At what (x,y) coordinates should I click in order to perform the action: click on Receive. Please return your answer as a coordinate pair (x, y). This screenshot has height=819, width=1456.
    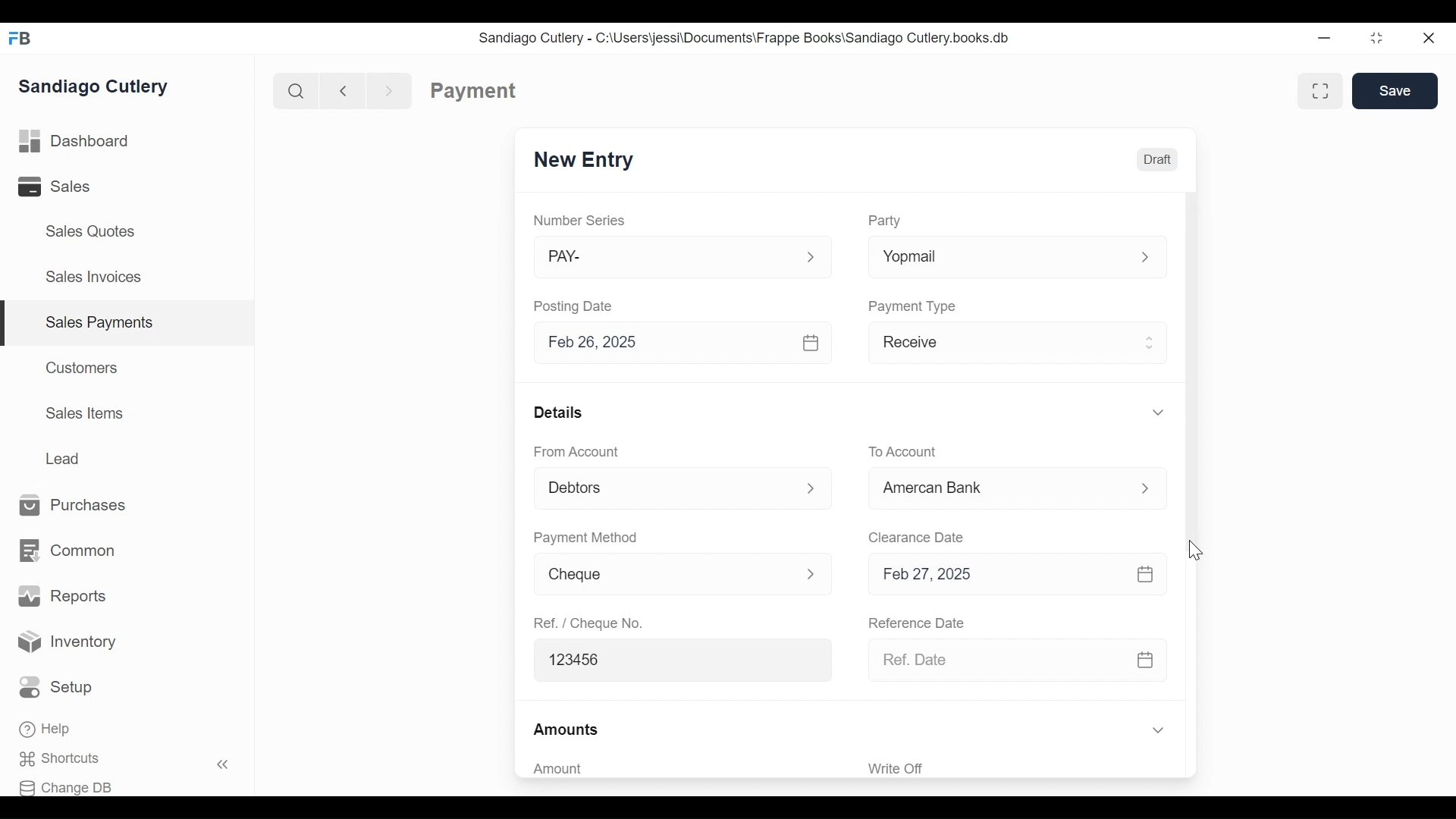
    Looking at the image, I should click on (997, 345).